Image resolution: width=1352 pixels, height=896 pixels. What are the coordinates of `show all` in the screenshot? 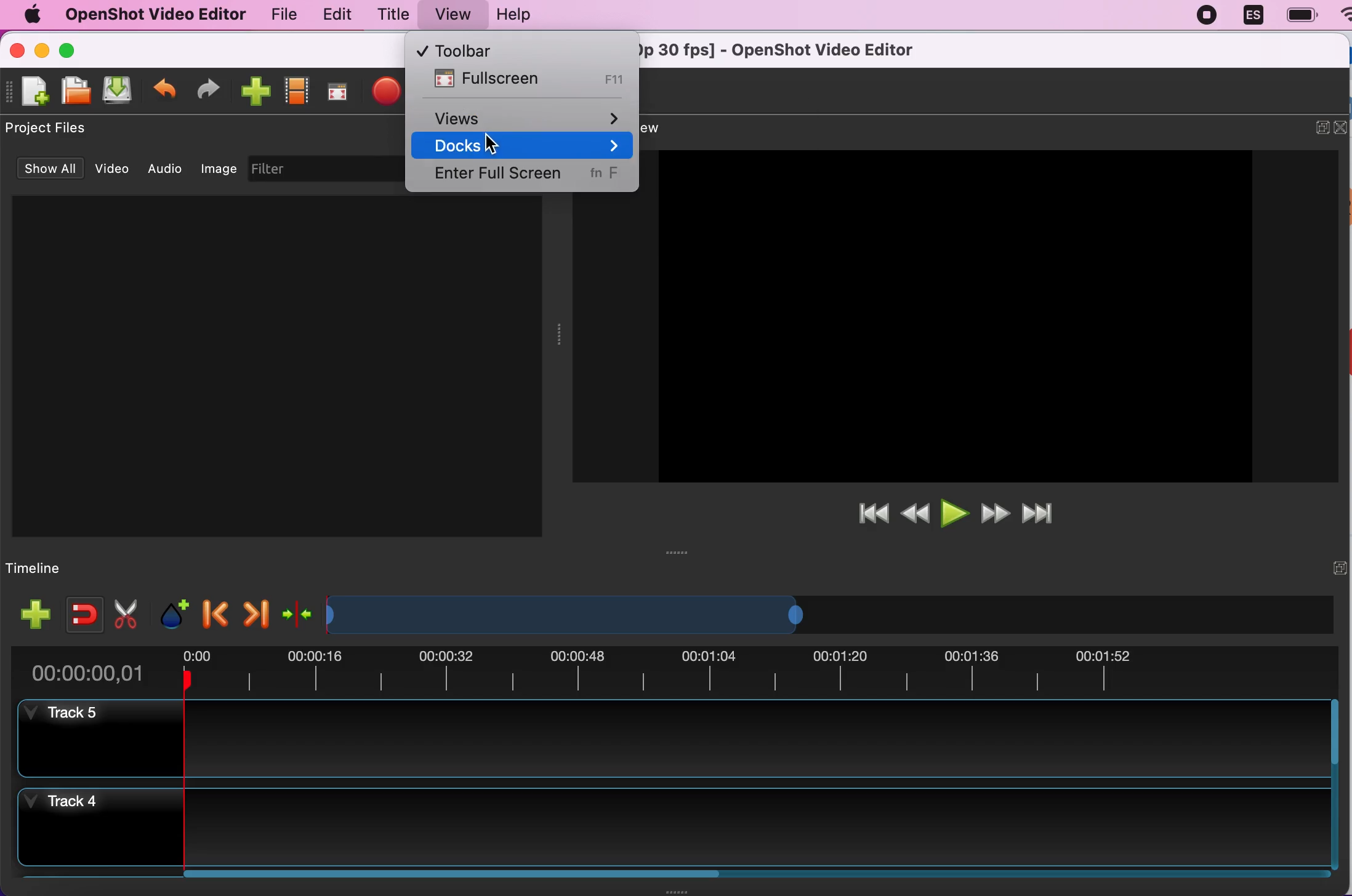 It's located at (52, 170).